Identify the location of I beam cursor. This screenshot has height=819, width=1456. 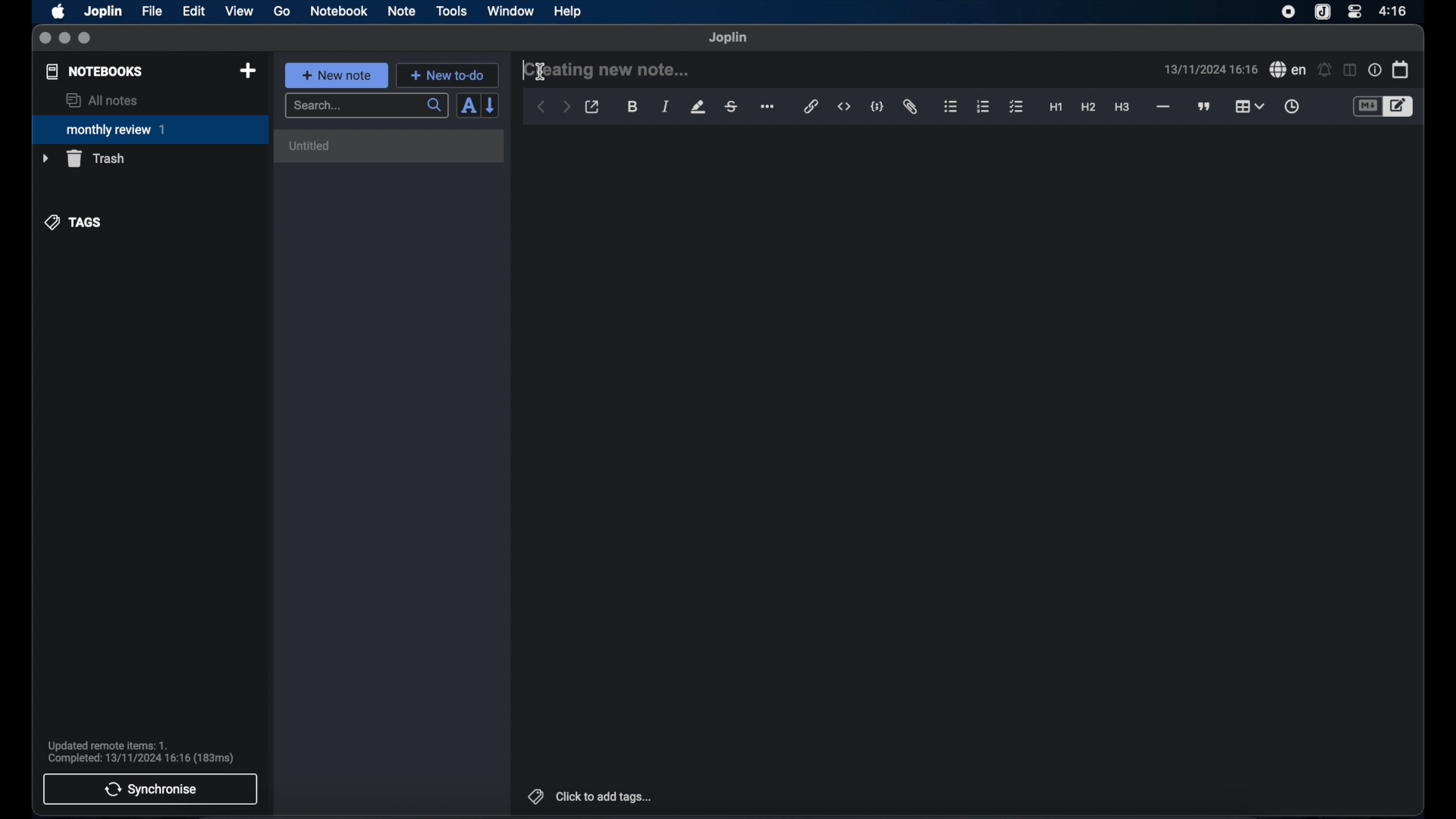
(539, 72).